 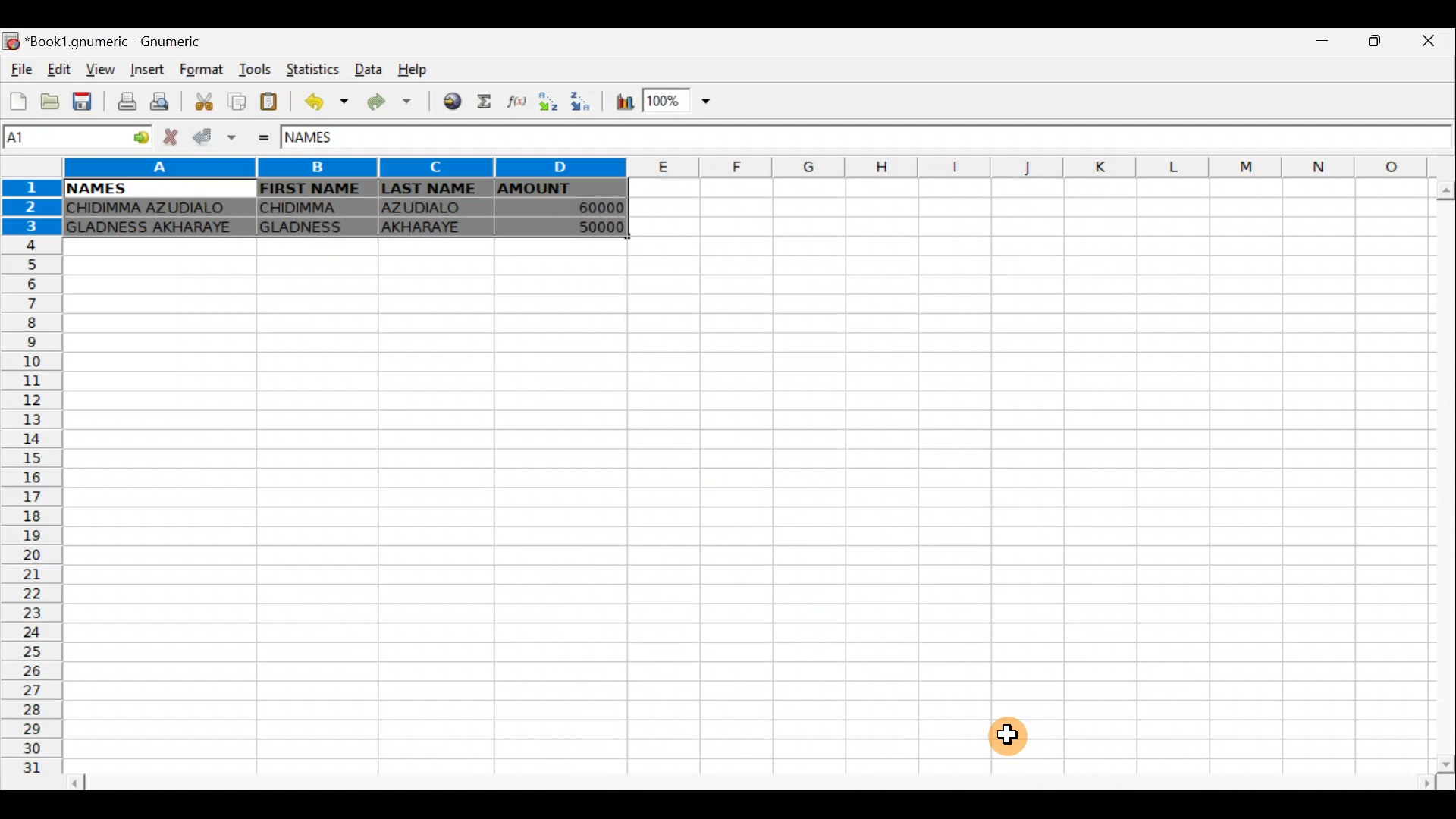 I want to click on LAST NAME, so click(x=433, y=190).